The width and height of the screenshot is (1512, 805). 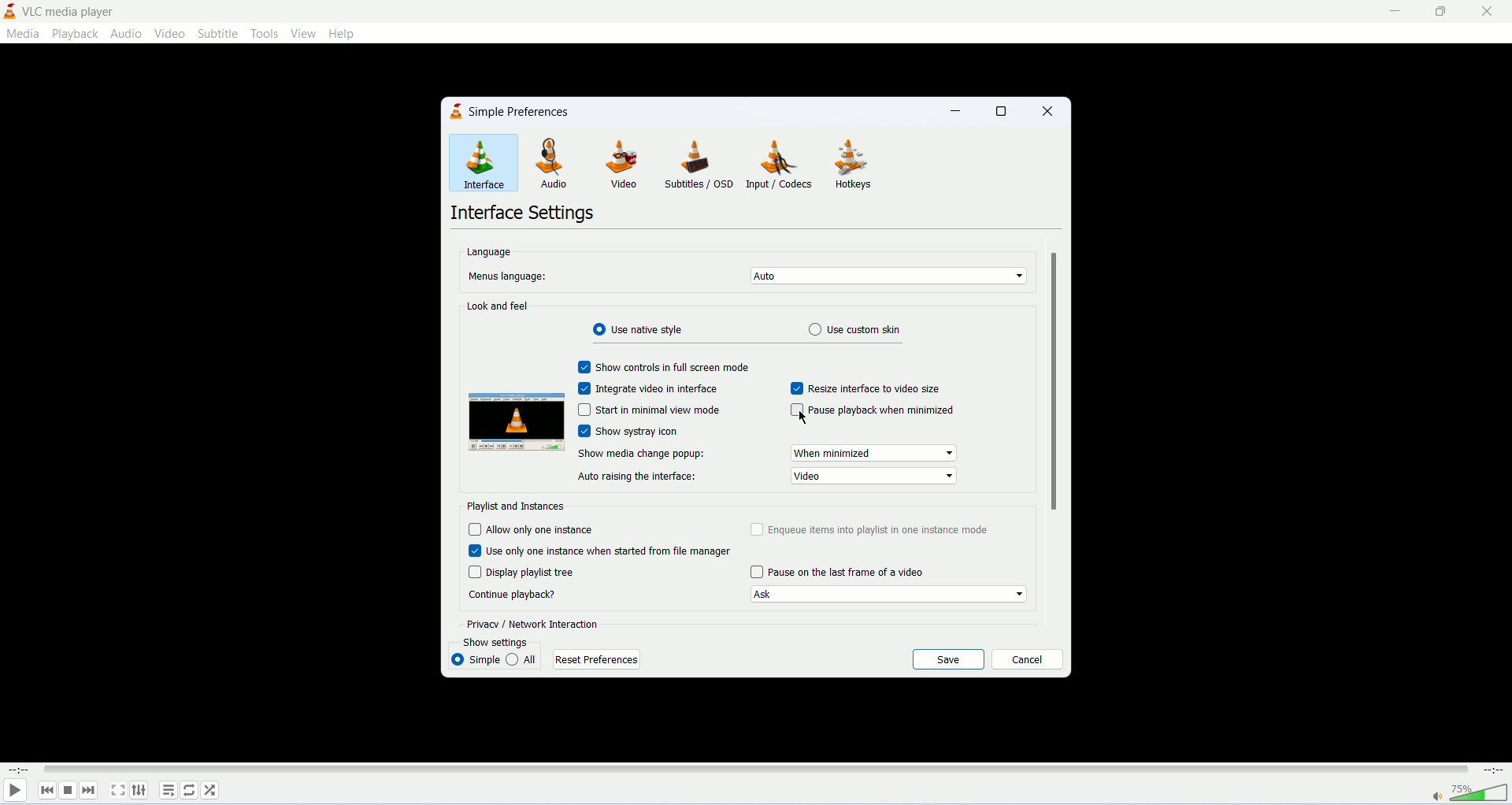 What do you see at coordinates (78, 34) in the screenshot?
I see `playback` at bounding box center [78, 34].